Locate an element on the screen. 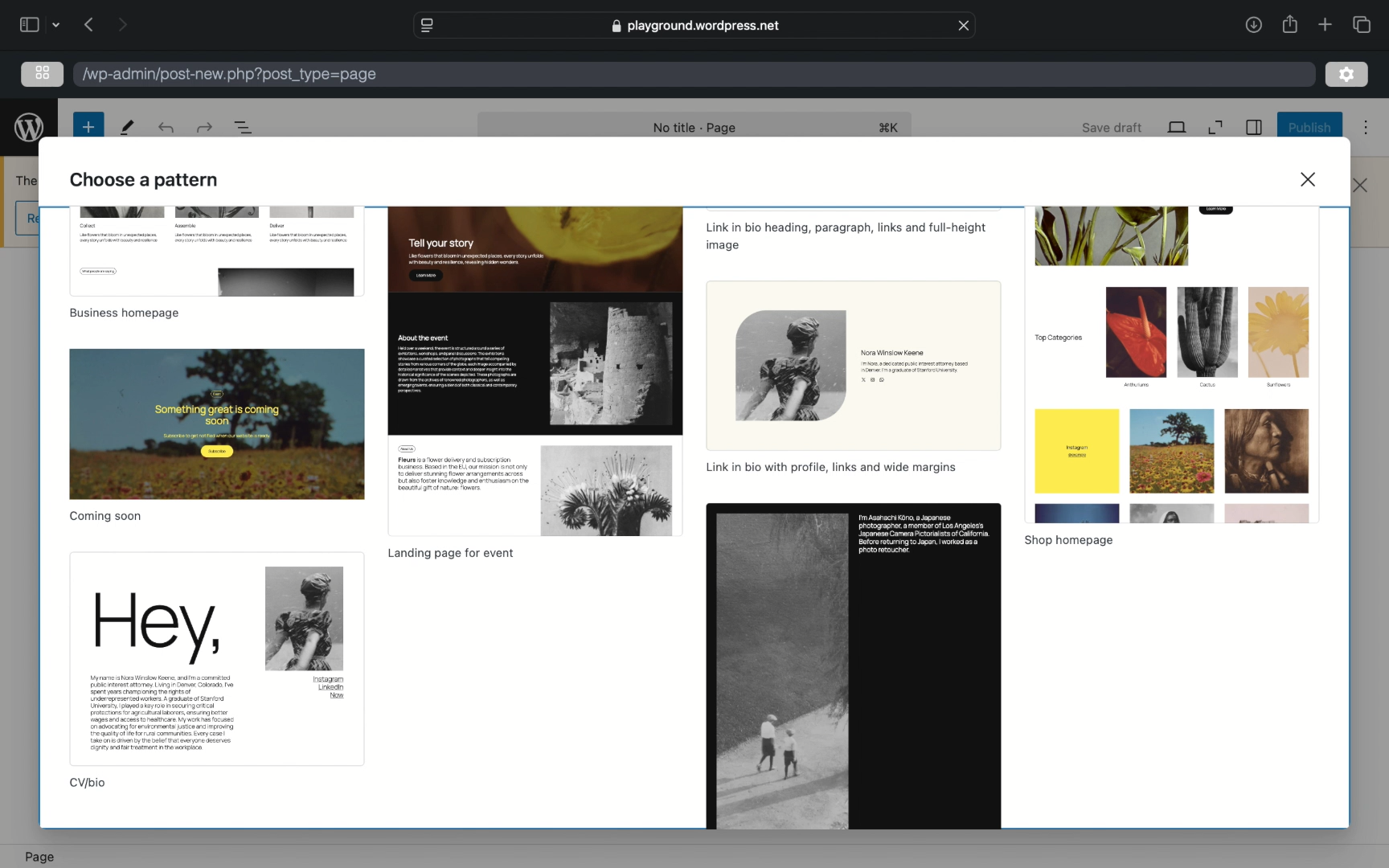 Image resolution: width=1389 pixels, height=868 pixels. undo is located at coordinates (203, 127).